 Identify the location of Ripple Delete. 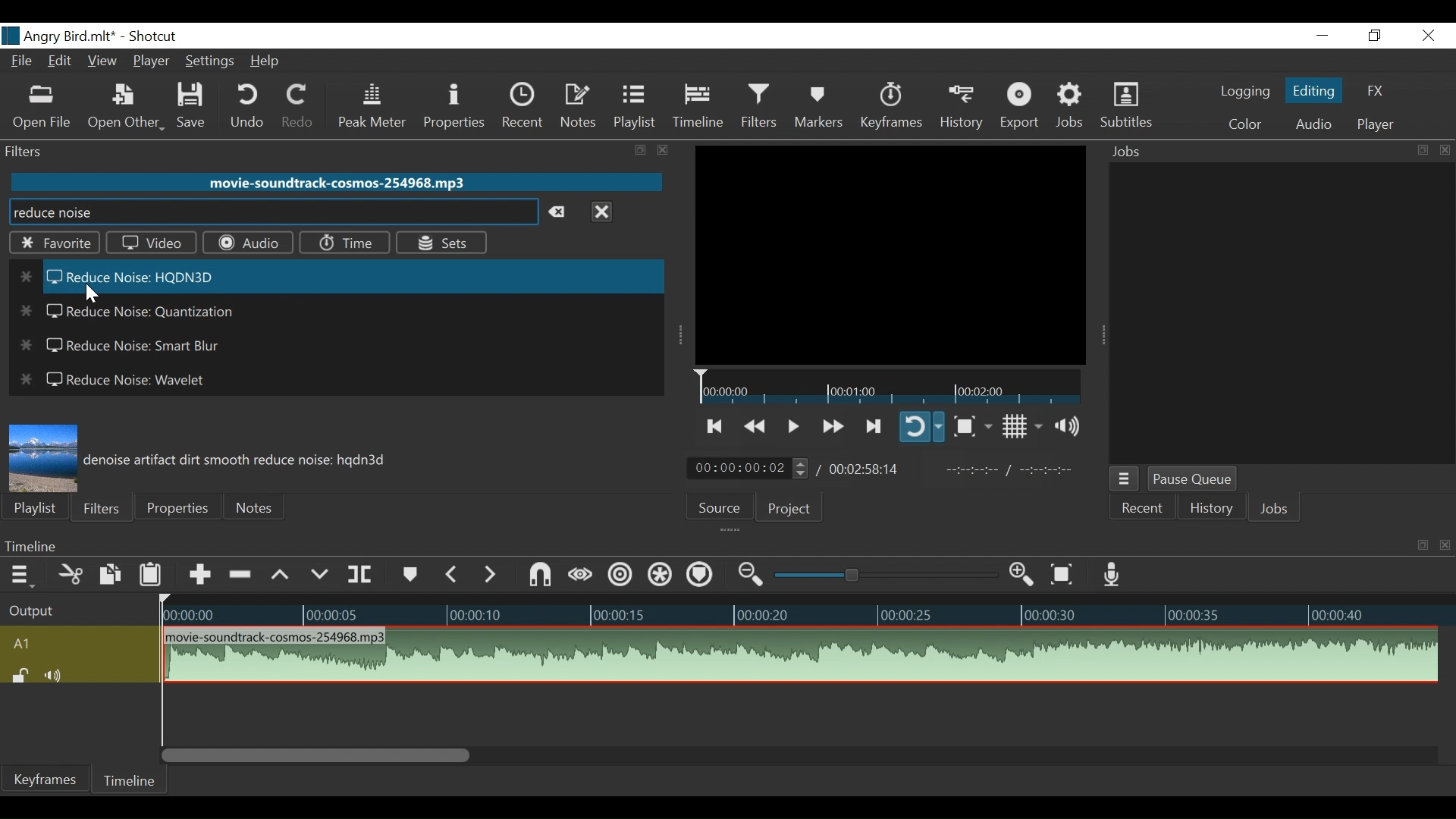
(242, 574).